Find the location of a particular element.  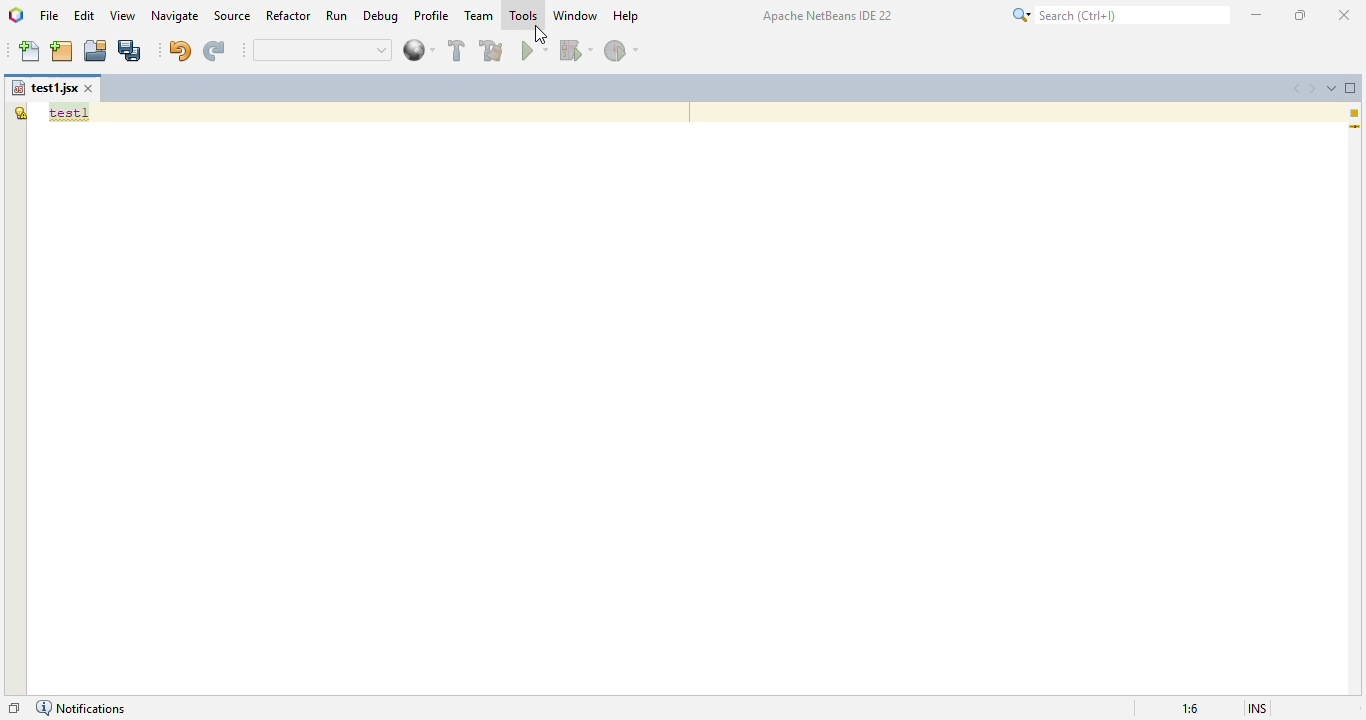

the global variable "test1" is not declared. is located at coordinates (20, 112).